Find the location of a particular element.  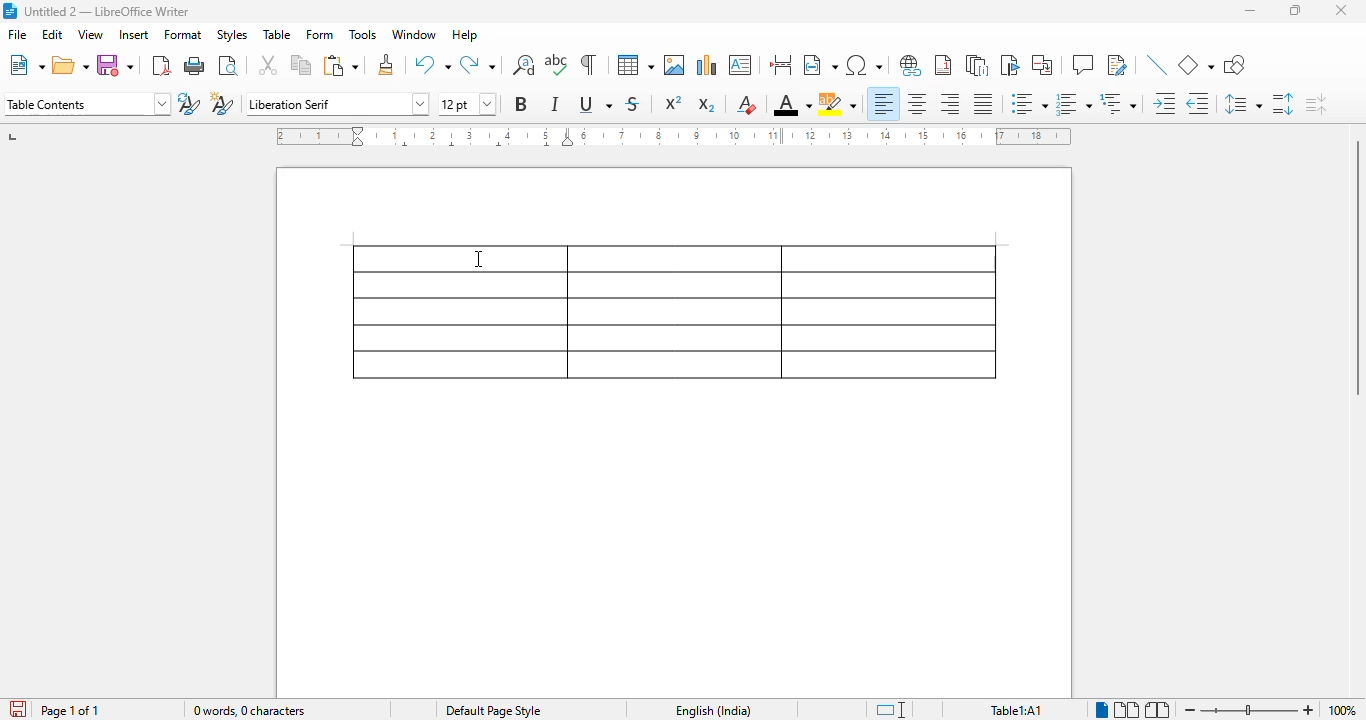

set paragraph style is located at coordinates (86, 104).